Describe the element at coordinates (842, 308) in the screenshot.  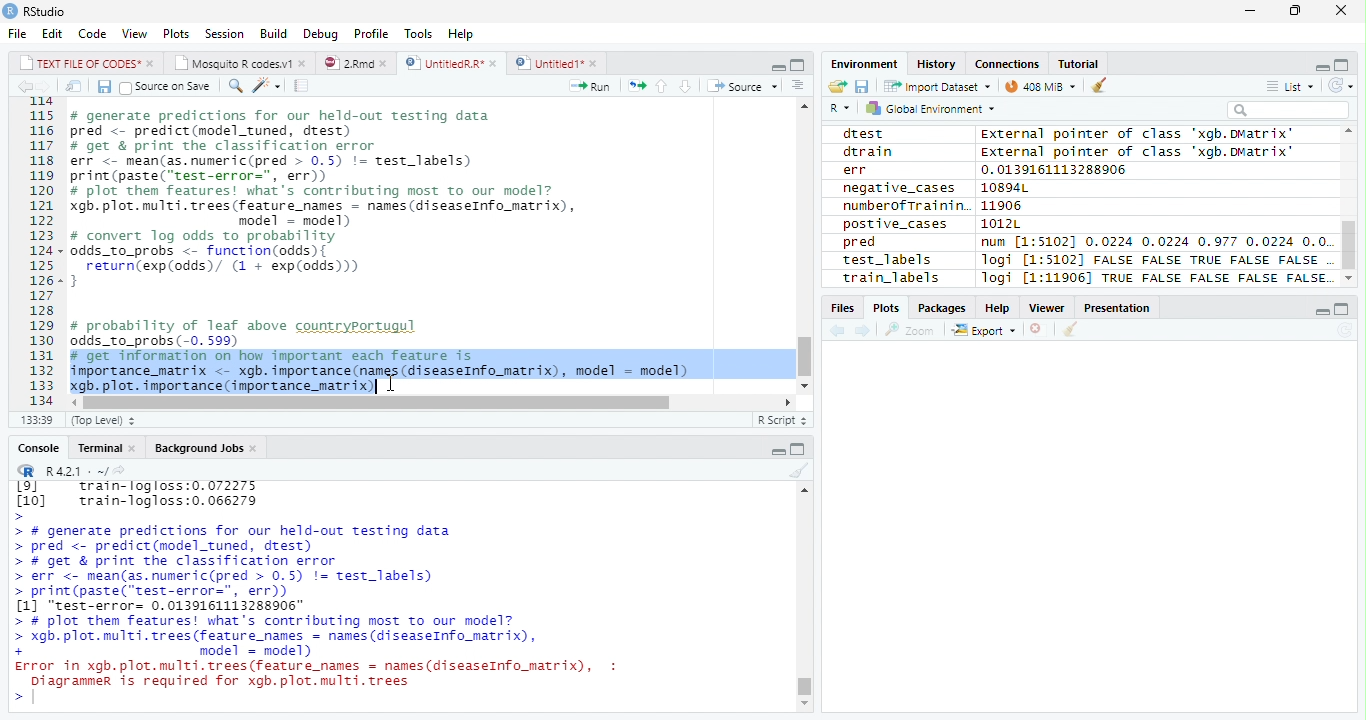
I see `Files` at that location.